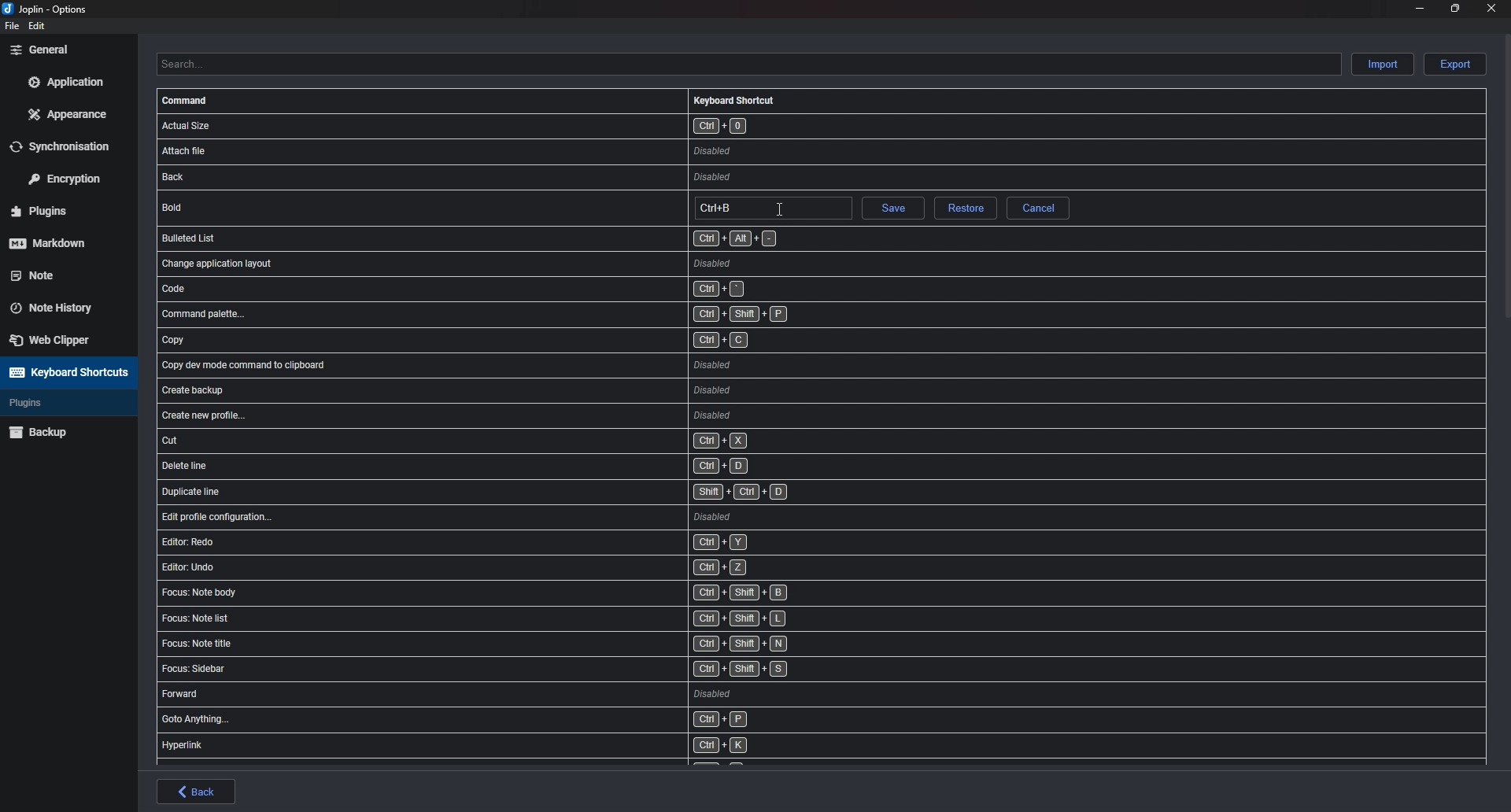 This screenshot has height=812, width=1511. I want to click on save, so click(892, 210).